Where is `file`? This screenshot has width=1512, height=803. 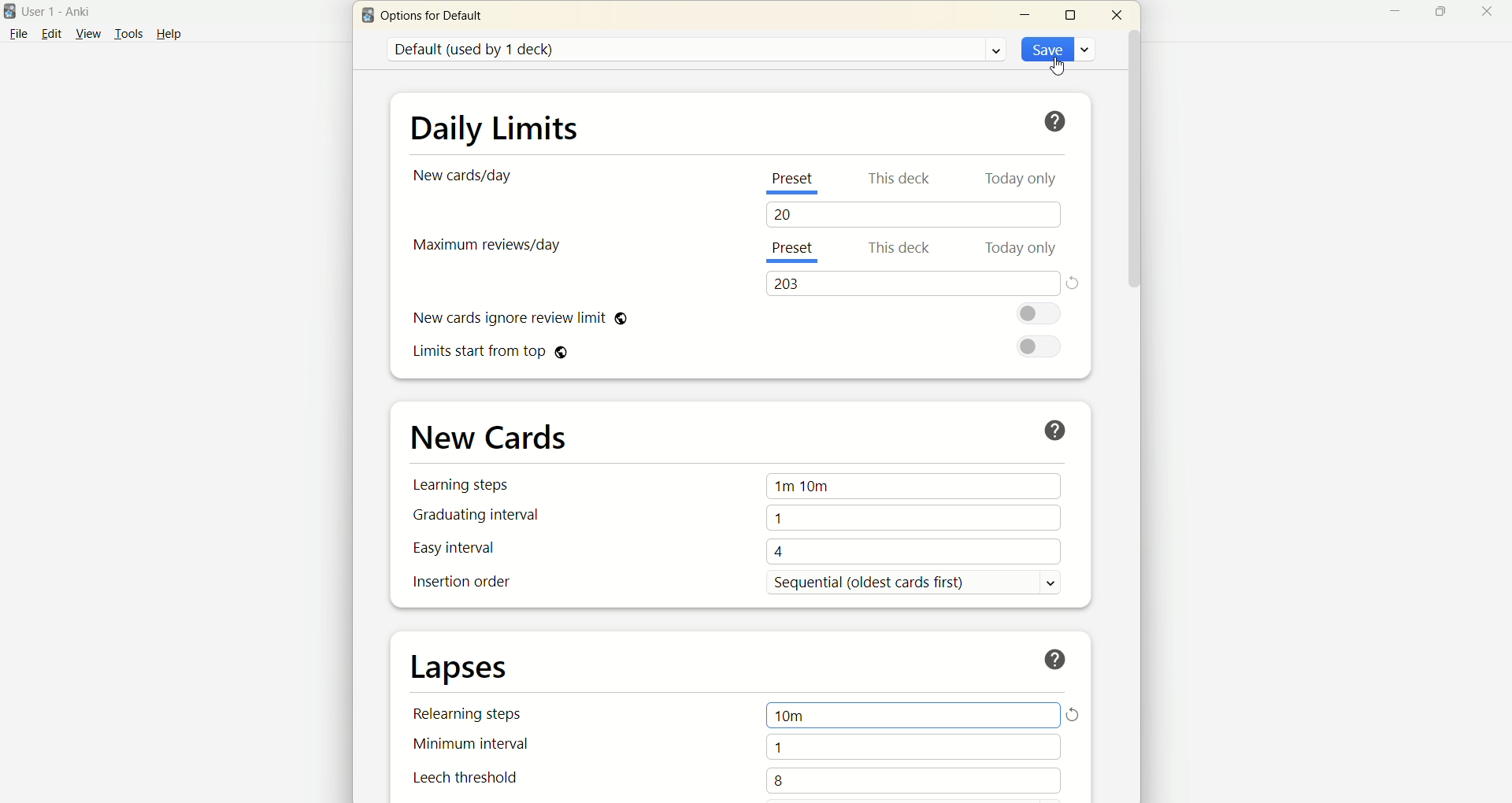 file is located at coordinates (17, 35).